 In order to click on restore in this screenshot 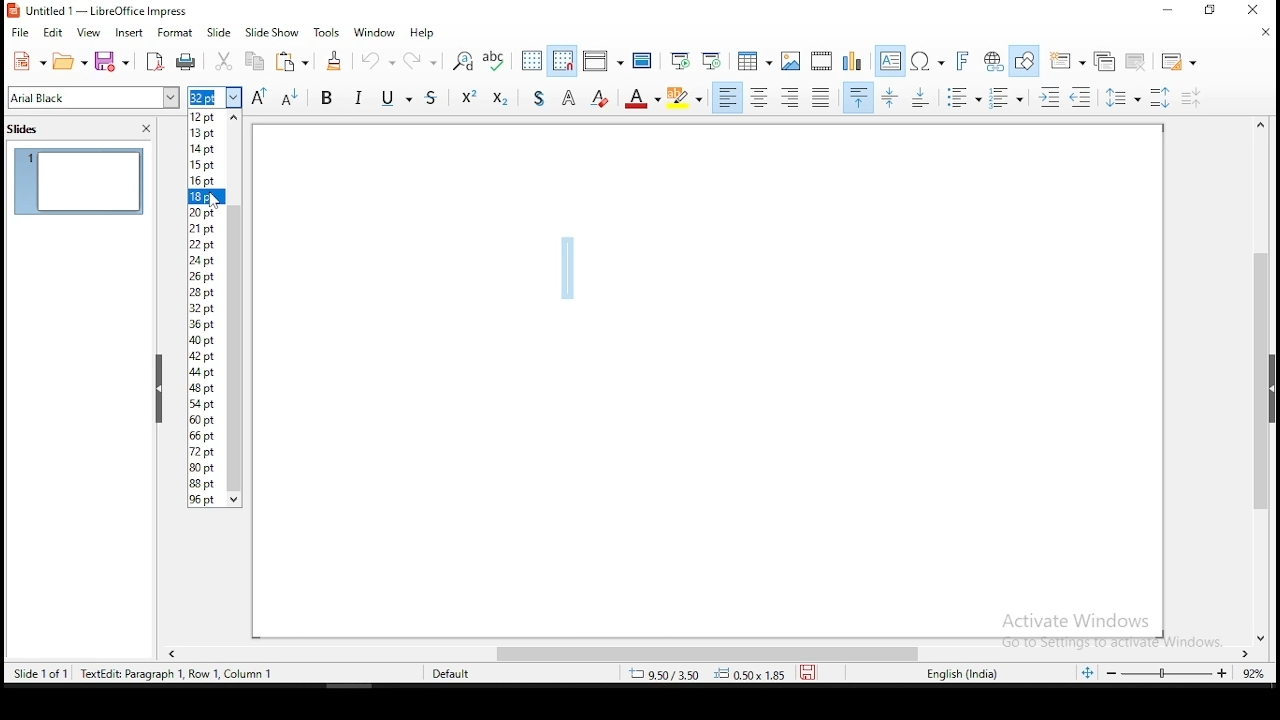, I will do `click(1210, 10)`.